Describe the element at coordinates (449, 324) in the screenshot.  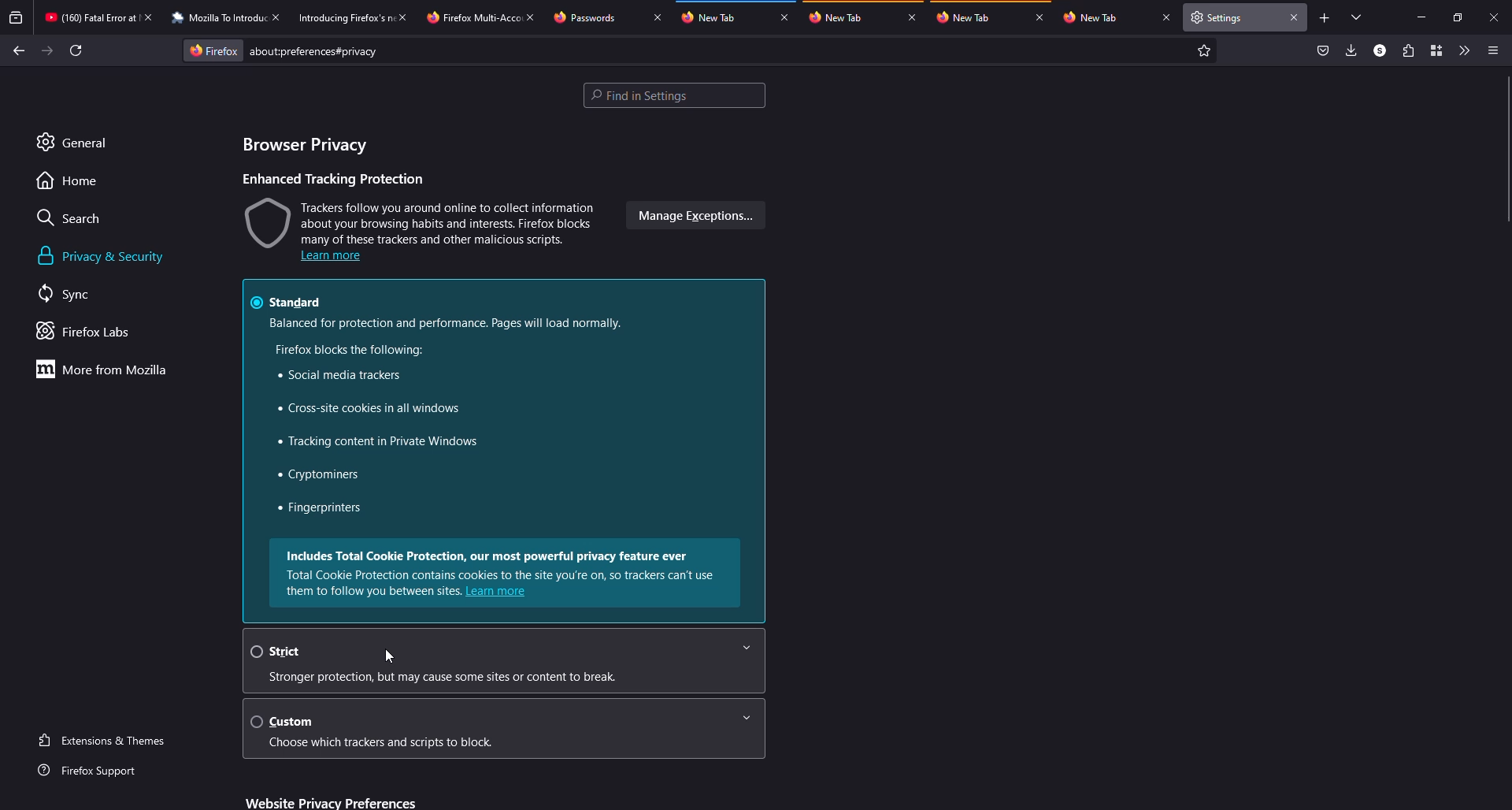
I see `balanced for protection and performance.` at that location.